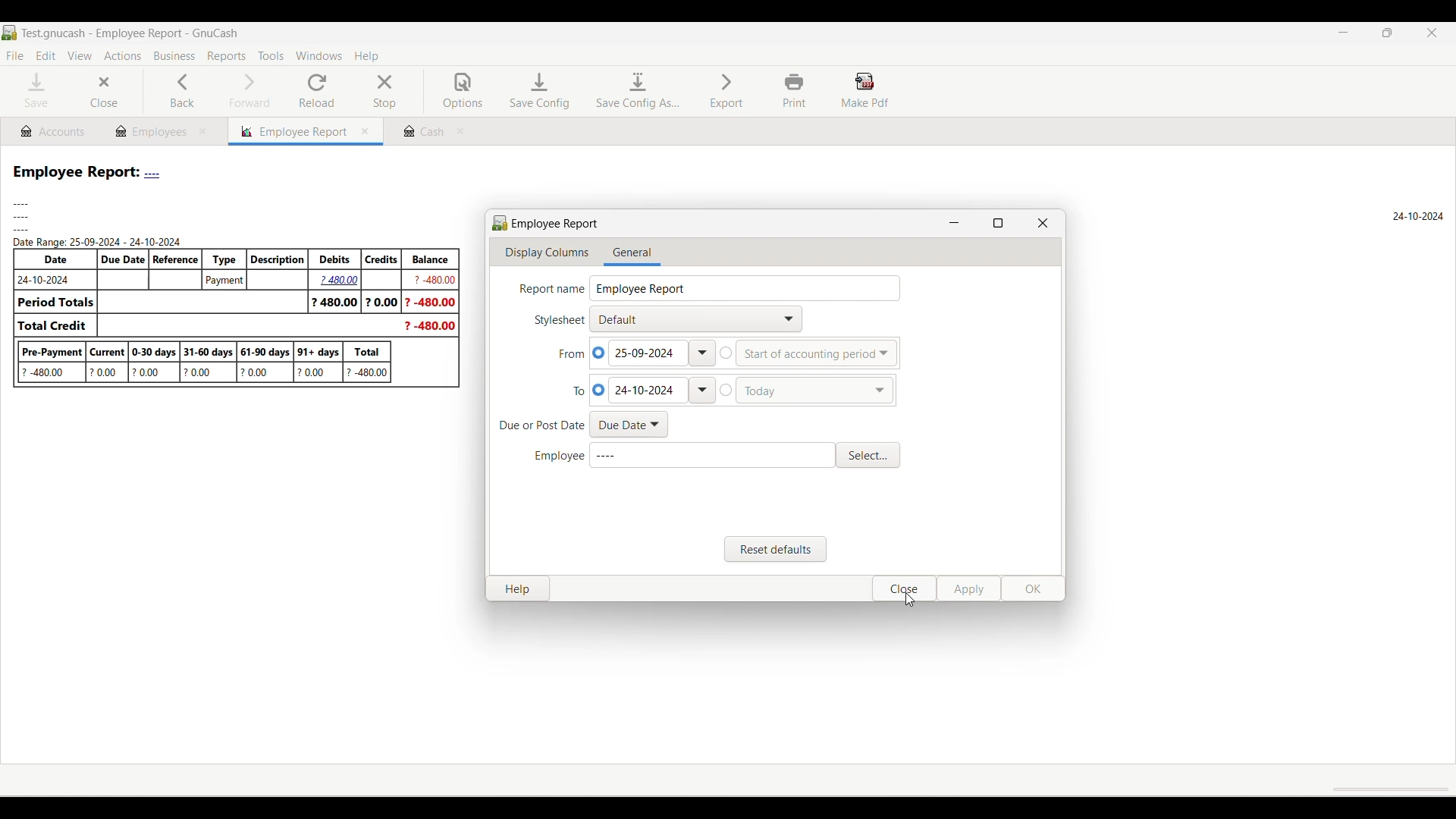 This screenshot has height=819, width=1456. What do you see at coordinates (909, 599) in the screenshot?
I see `Cursor clicking on closing window` at bounding box center [909, 599].